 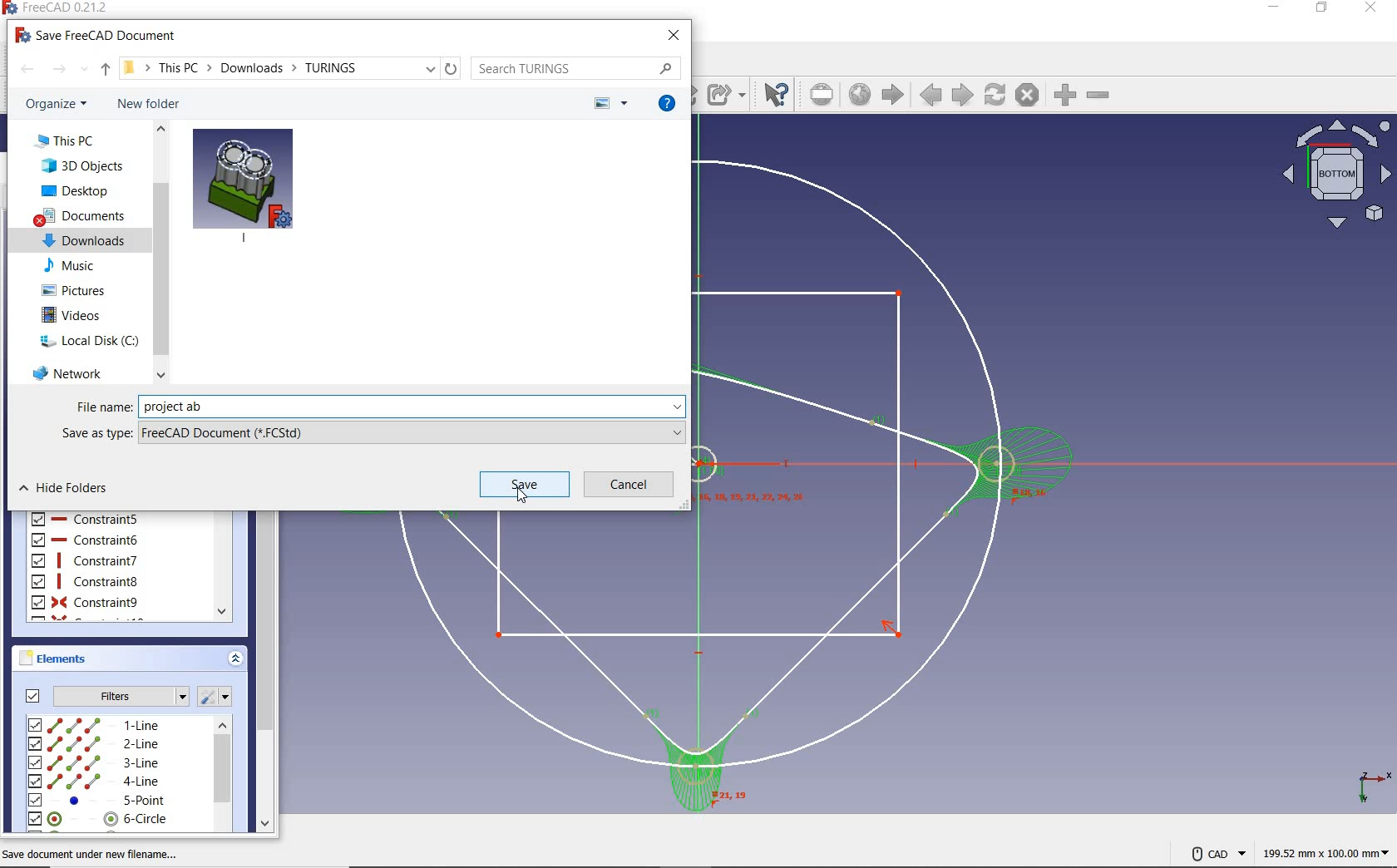 I want to click on constraint5, so click(x=86, y=518).